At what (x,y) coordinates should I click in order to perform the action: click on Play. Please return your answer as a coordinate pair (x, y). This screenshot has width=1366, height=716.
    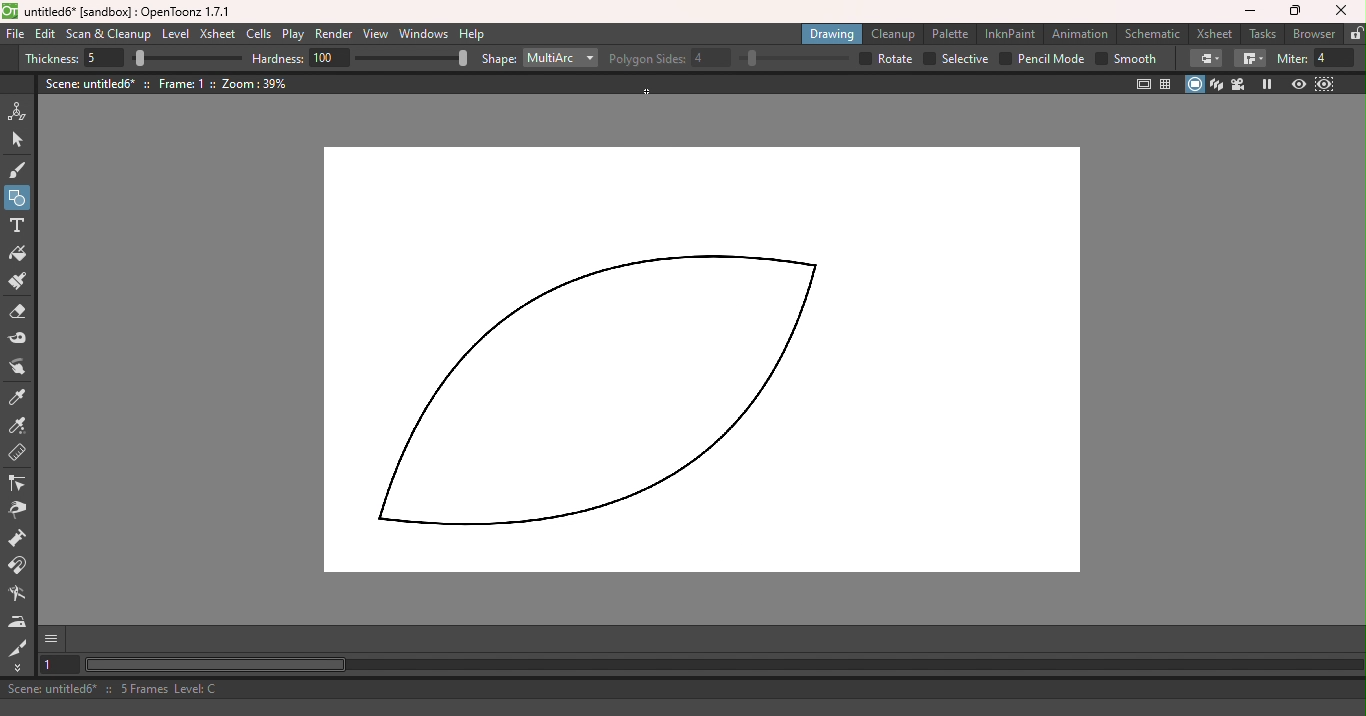
    Looking at the image, I should click on (292, 35).